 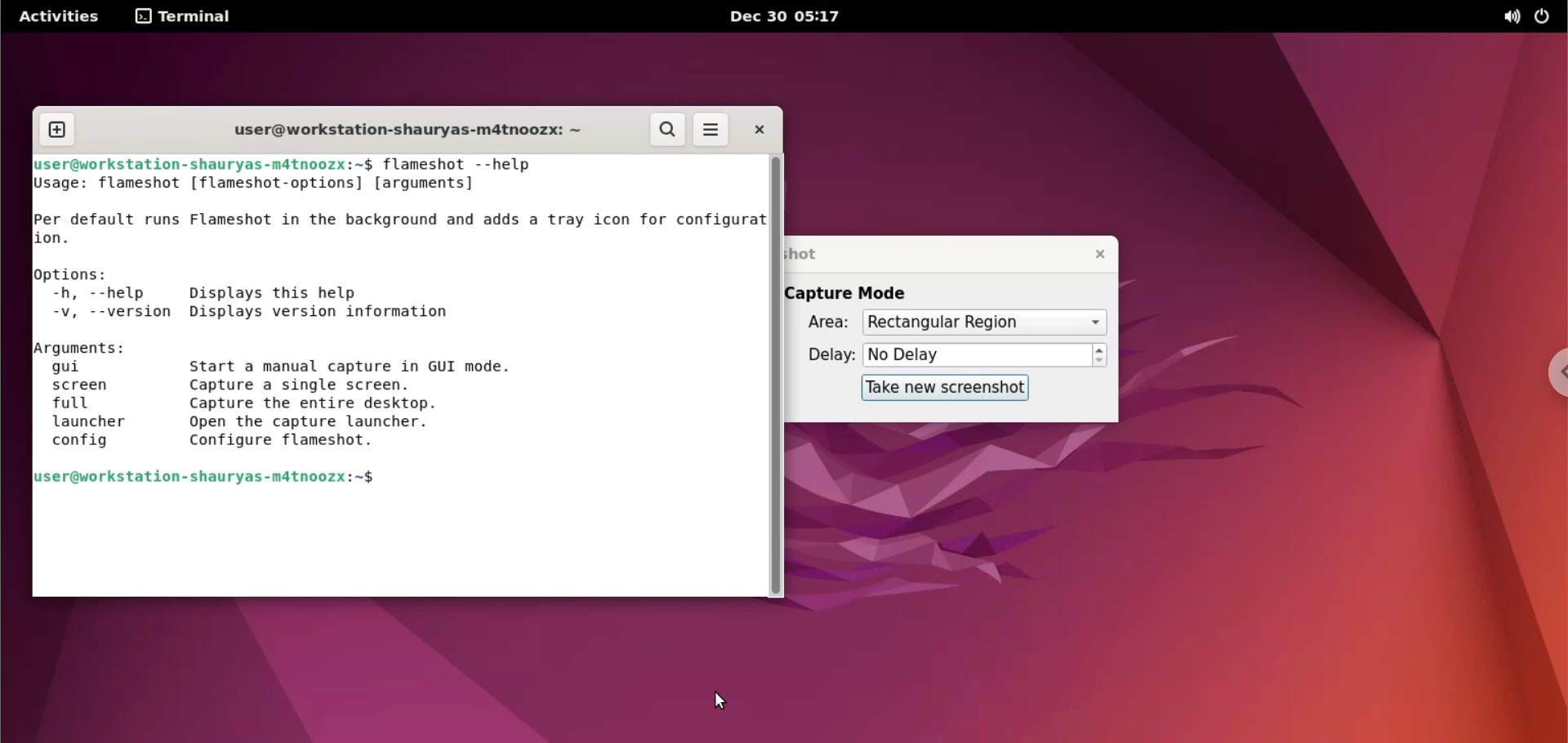 What do you see at coordinates (984, 323) in the screenshot?
I see `area options` at bounding box center [984, 323].